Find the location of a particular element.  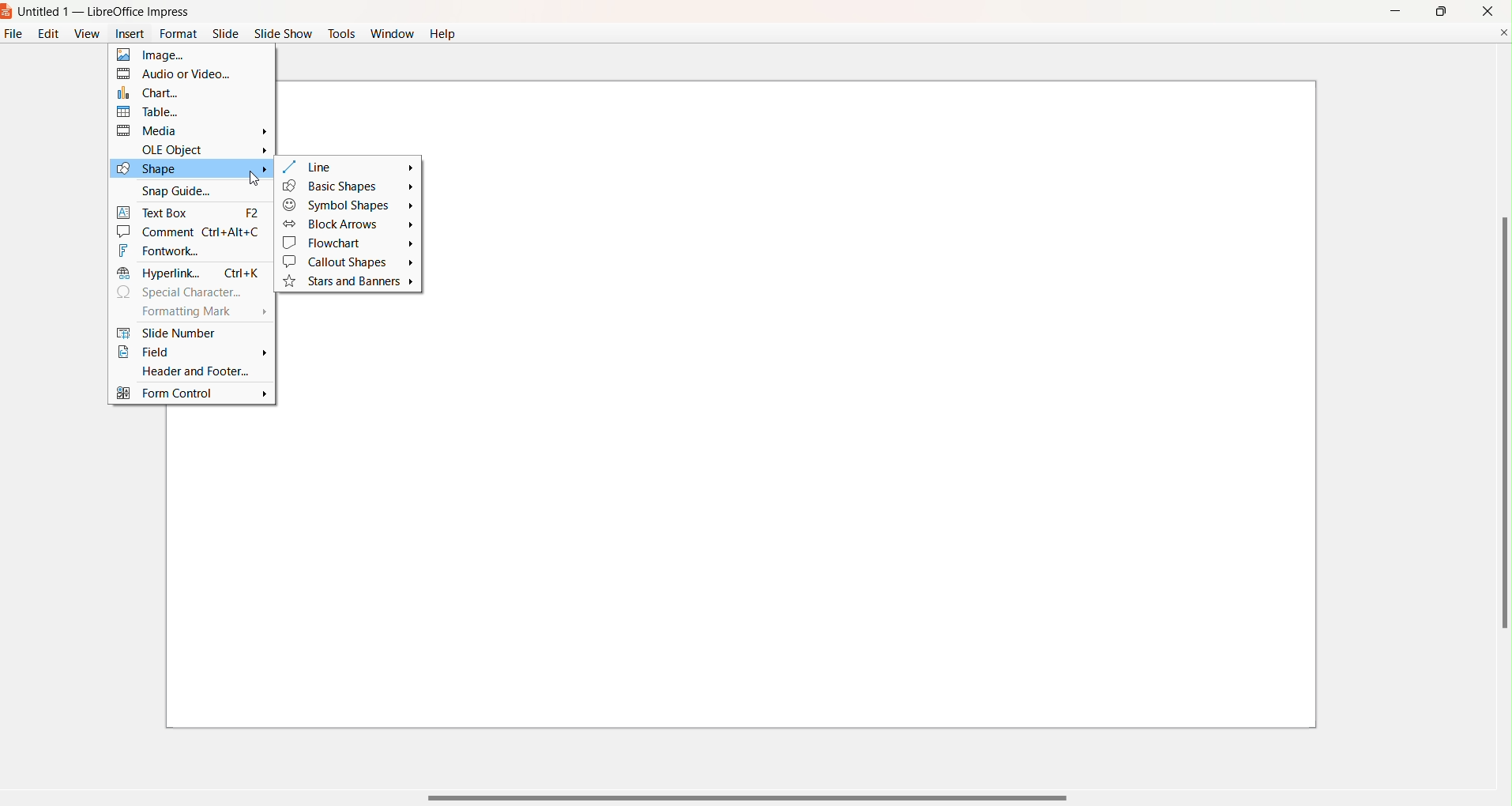

Text Box is located at coordinates (190, 210).